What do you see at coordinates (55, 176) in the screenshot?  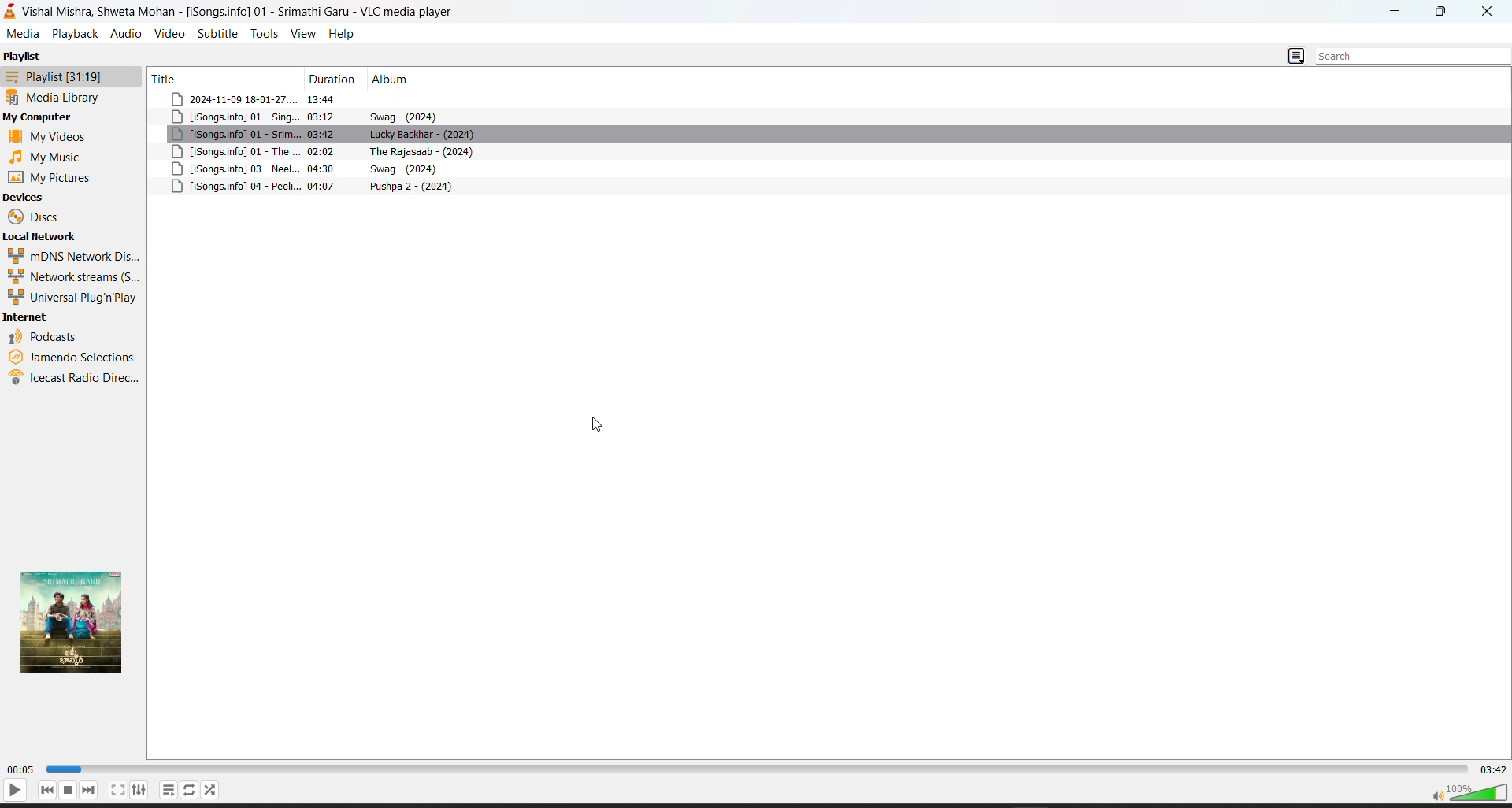 I see `pictures` at bounding box center [55, 176].